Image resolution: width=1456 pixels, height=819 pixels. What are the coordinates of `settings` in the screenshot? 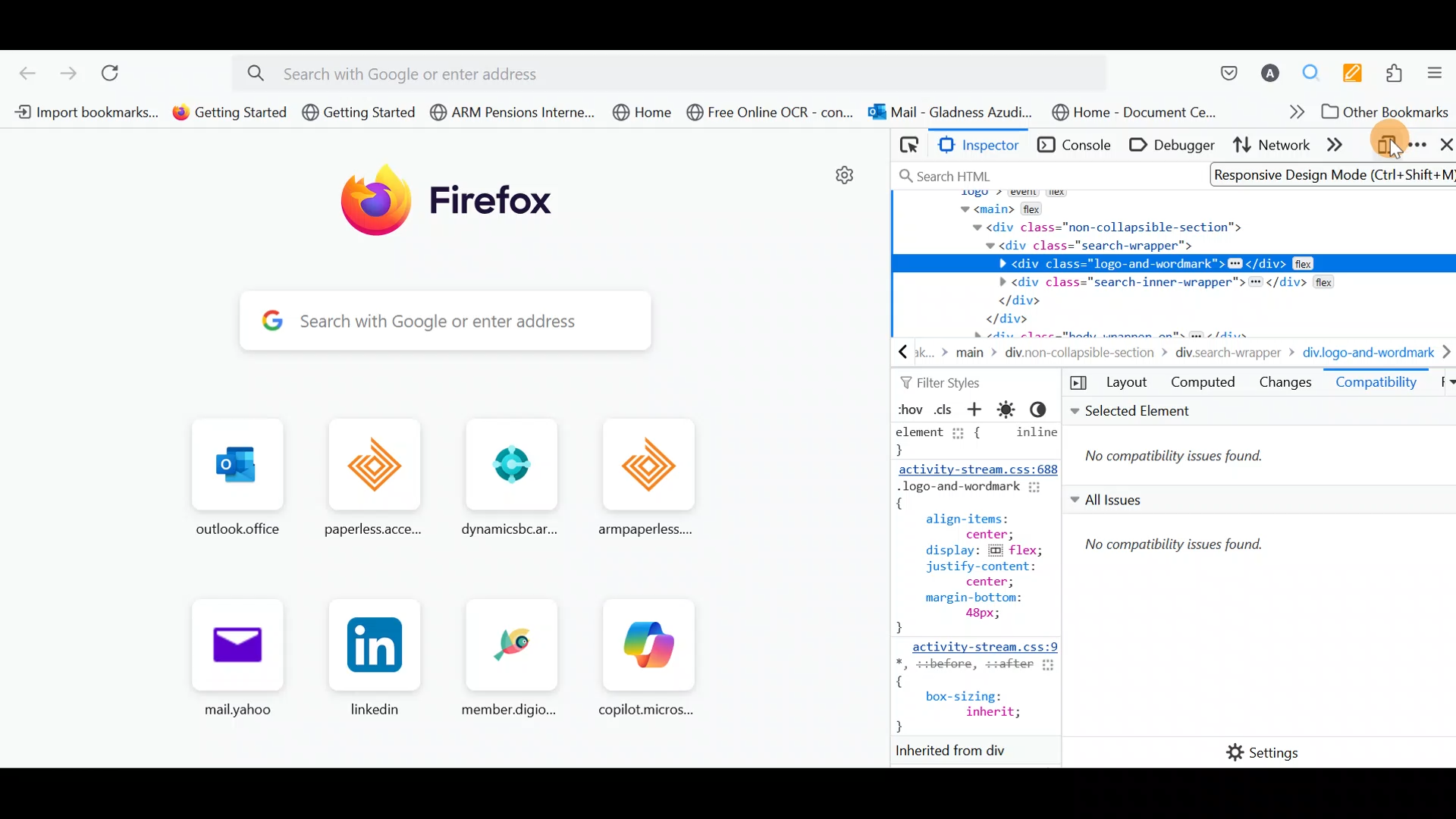 It's located at (842, 176).